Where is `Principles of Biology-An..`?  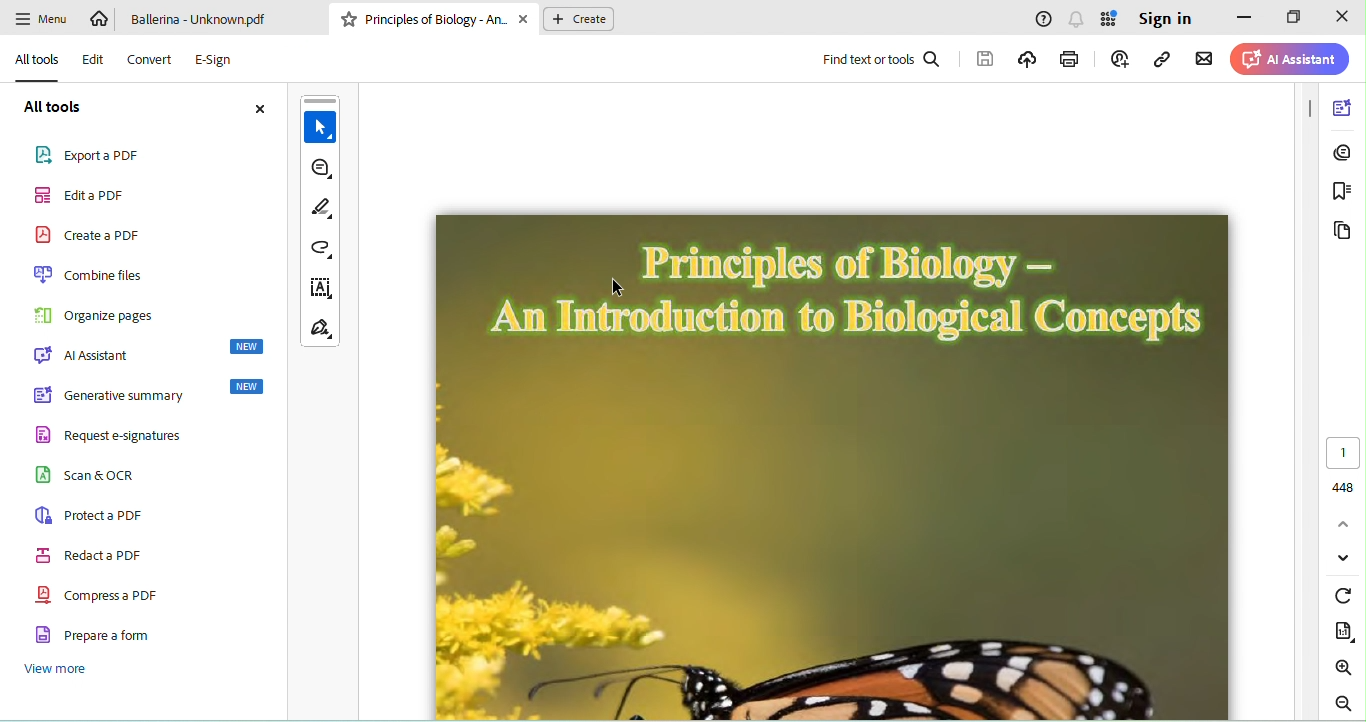
Principles of Biology-An.. is located at coordinates (438, 17).